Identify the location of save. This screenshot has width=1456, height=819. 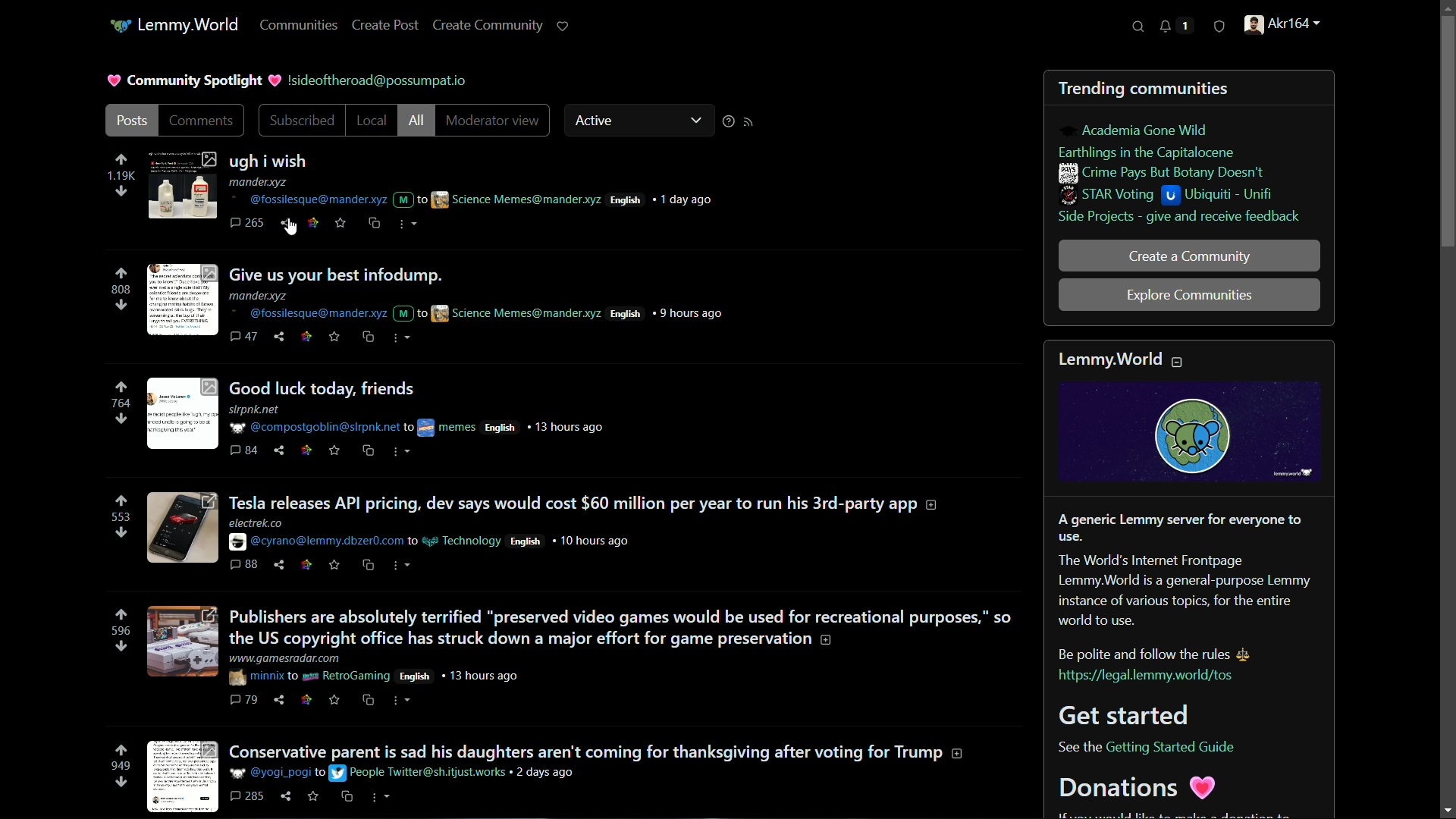
(342, 224).